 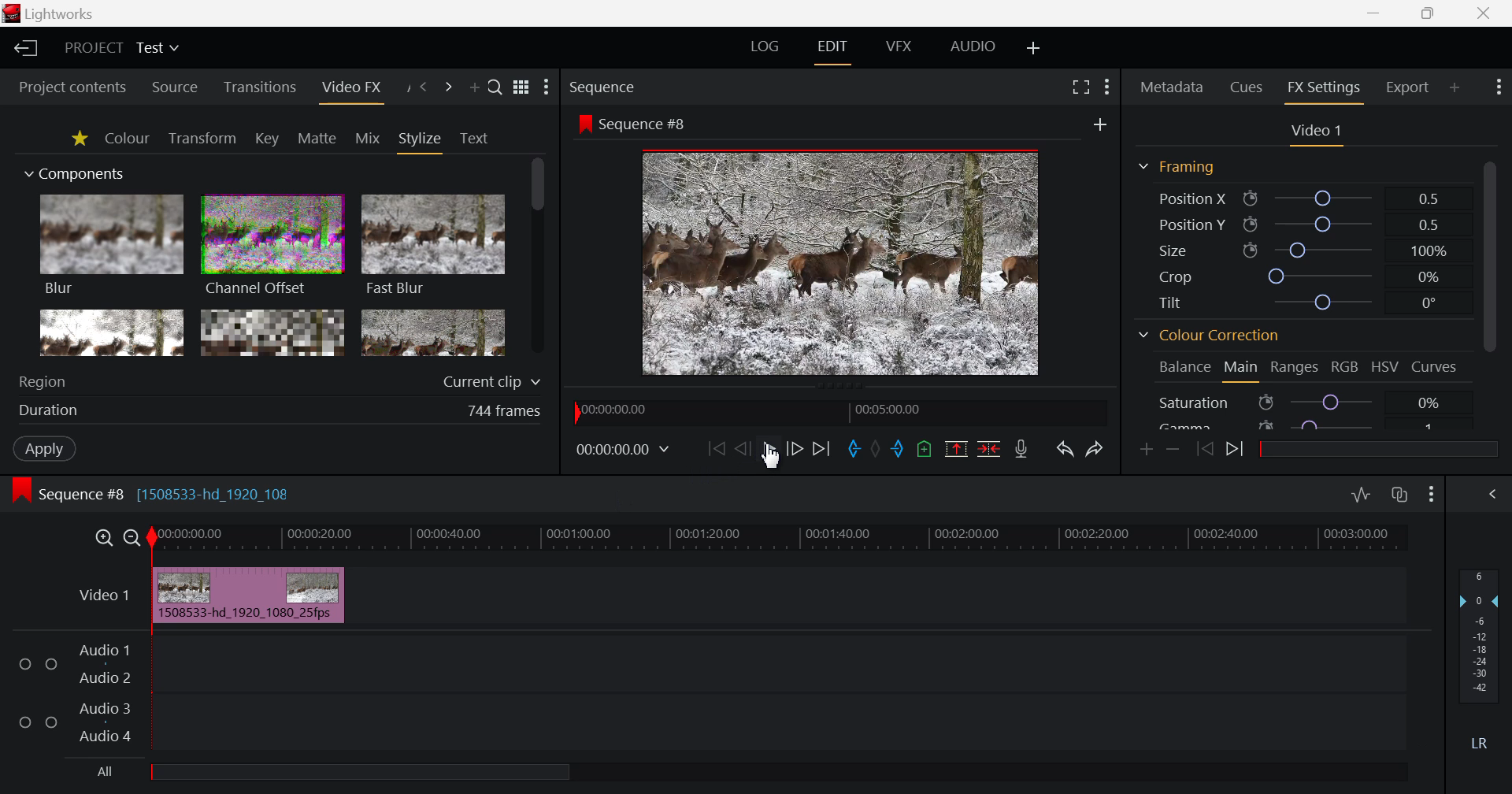 I want to click on Scroll Bar, so click(x=538, y=258).